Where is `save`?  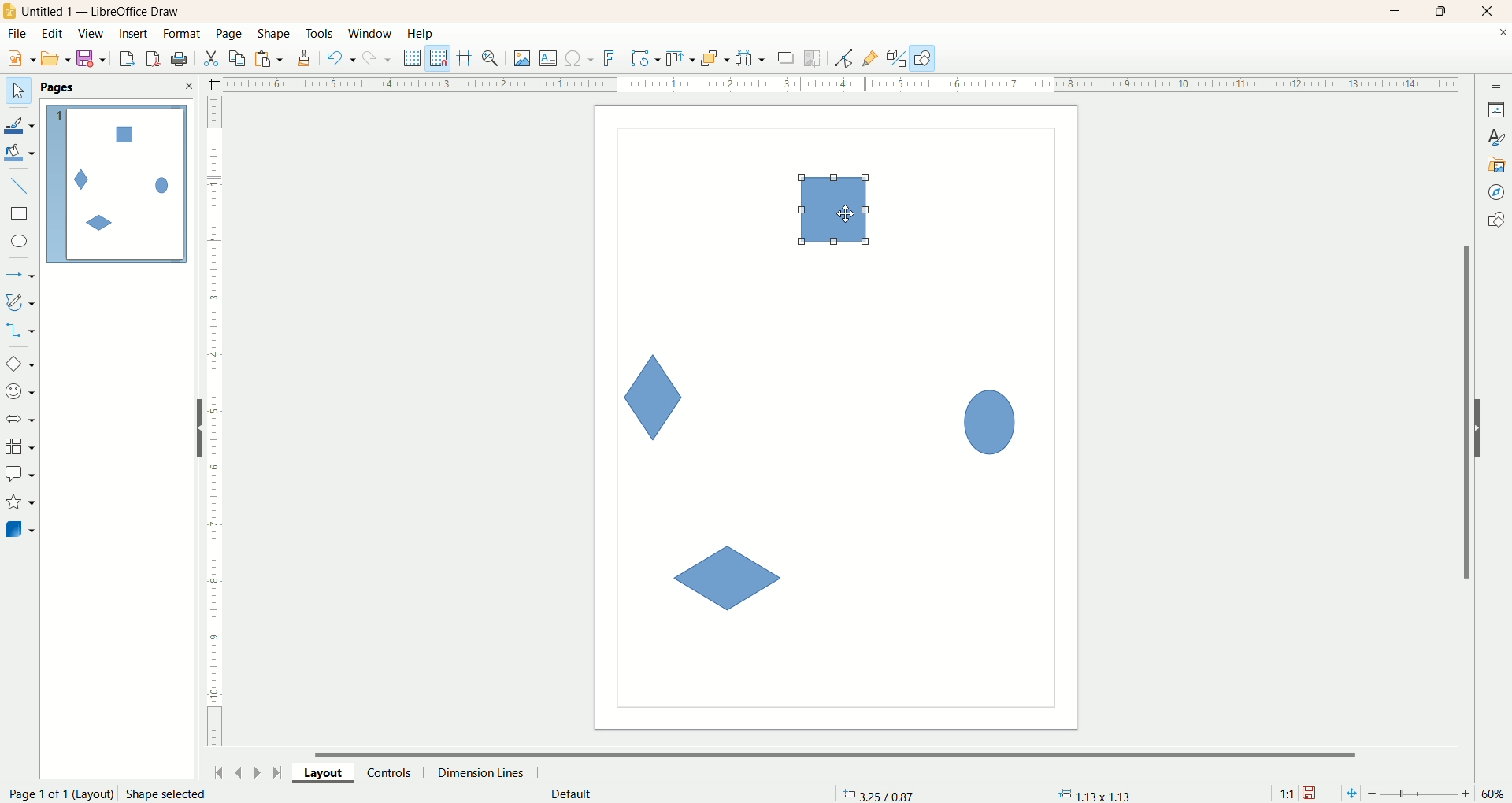 save is located at coordinates (1311, 794).